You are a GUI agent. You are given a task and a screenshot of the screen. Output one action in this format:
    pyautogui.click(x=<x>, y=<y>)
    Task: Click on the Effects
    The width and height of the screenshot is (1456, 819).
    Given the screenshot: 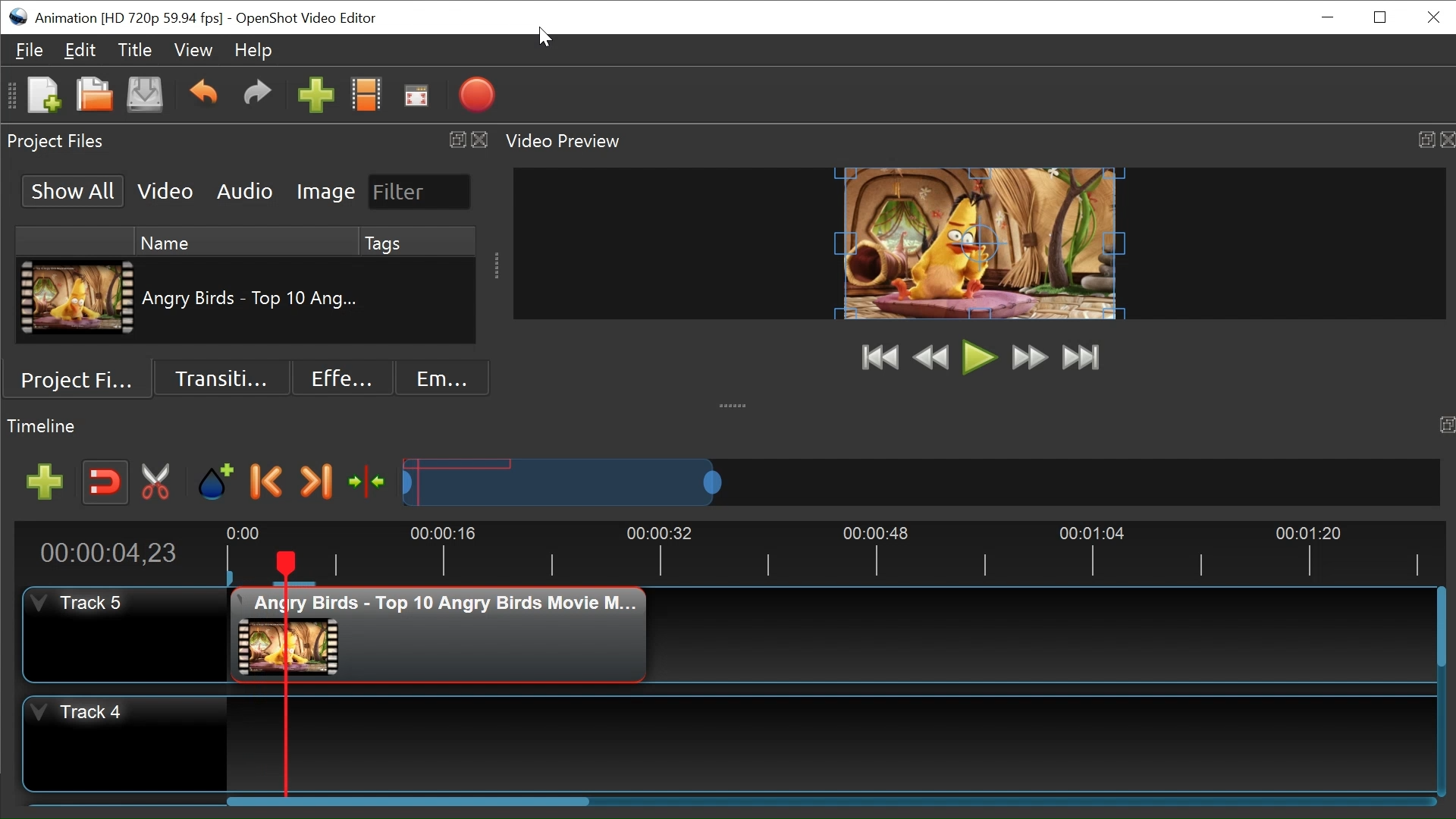 What is the action you would take?
    pyautogui.click(x=342, y=378)
    